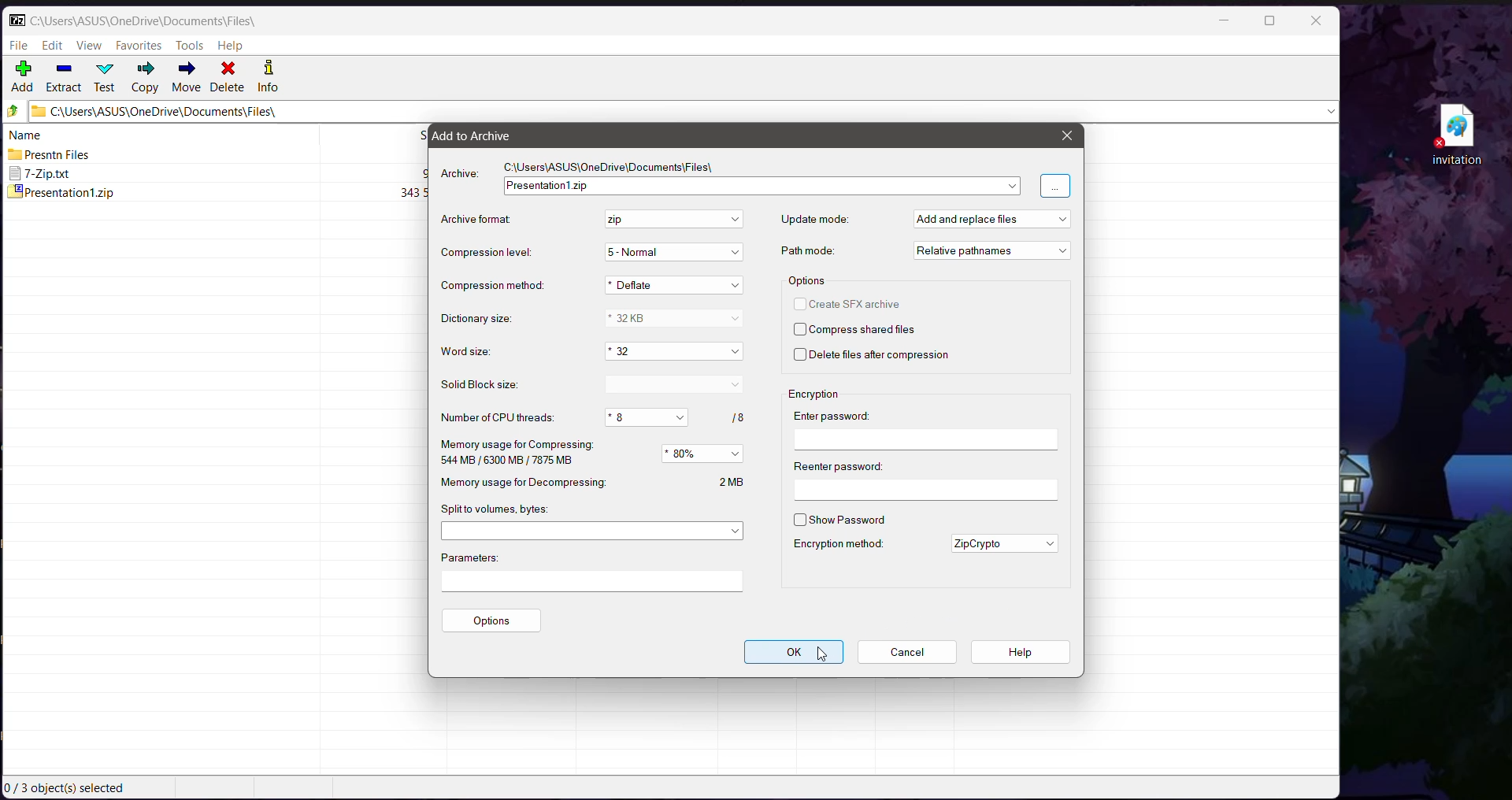 The width and height of the screenshot is (1512, 800). I want to click on Set the Compression Level, so click(676, 253).